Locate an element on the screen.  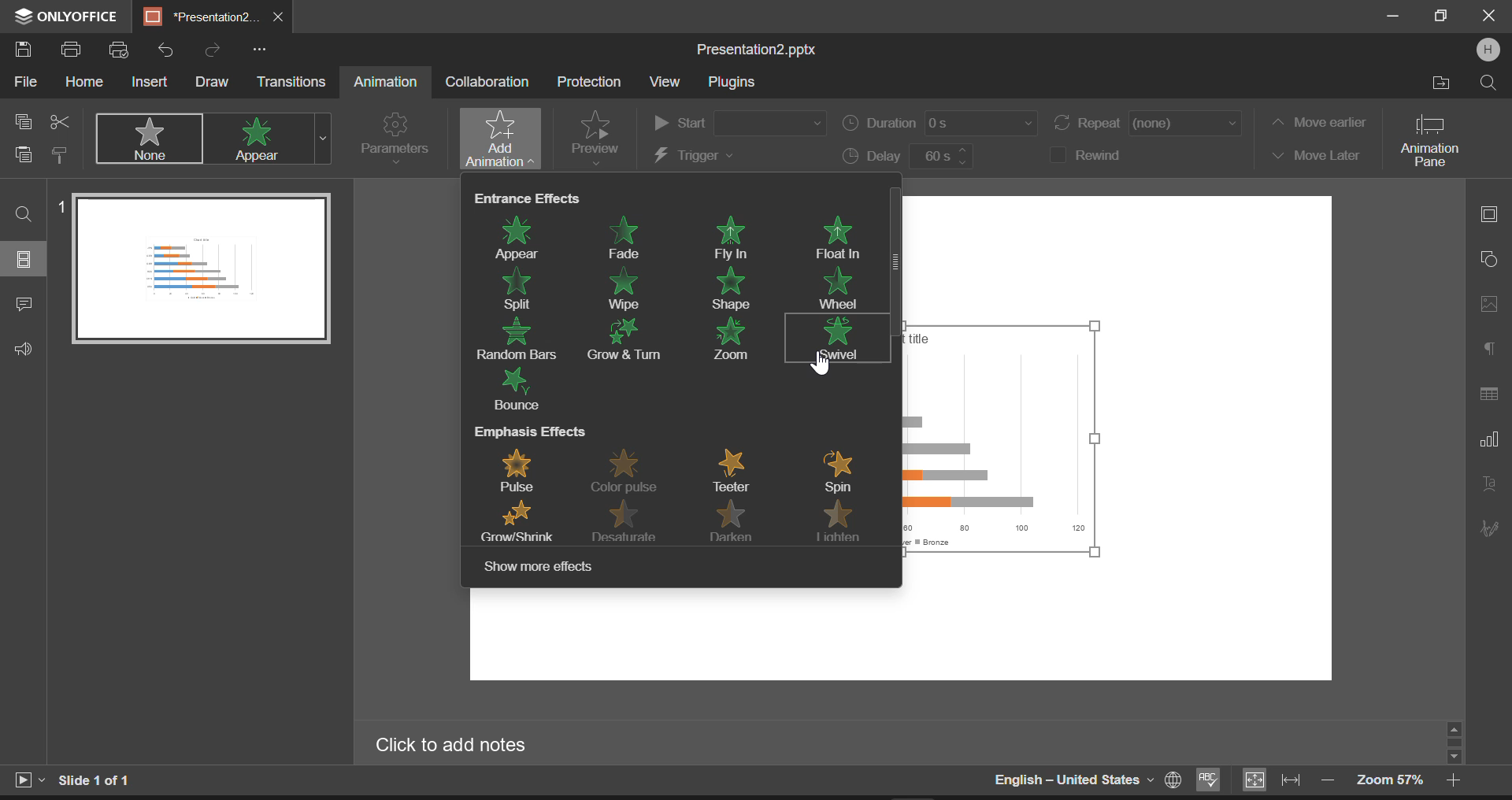
Home Menu is located at coordinates (83, 83).